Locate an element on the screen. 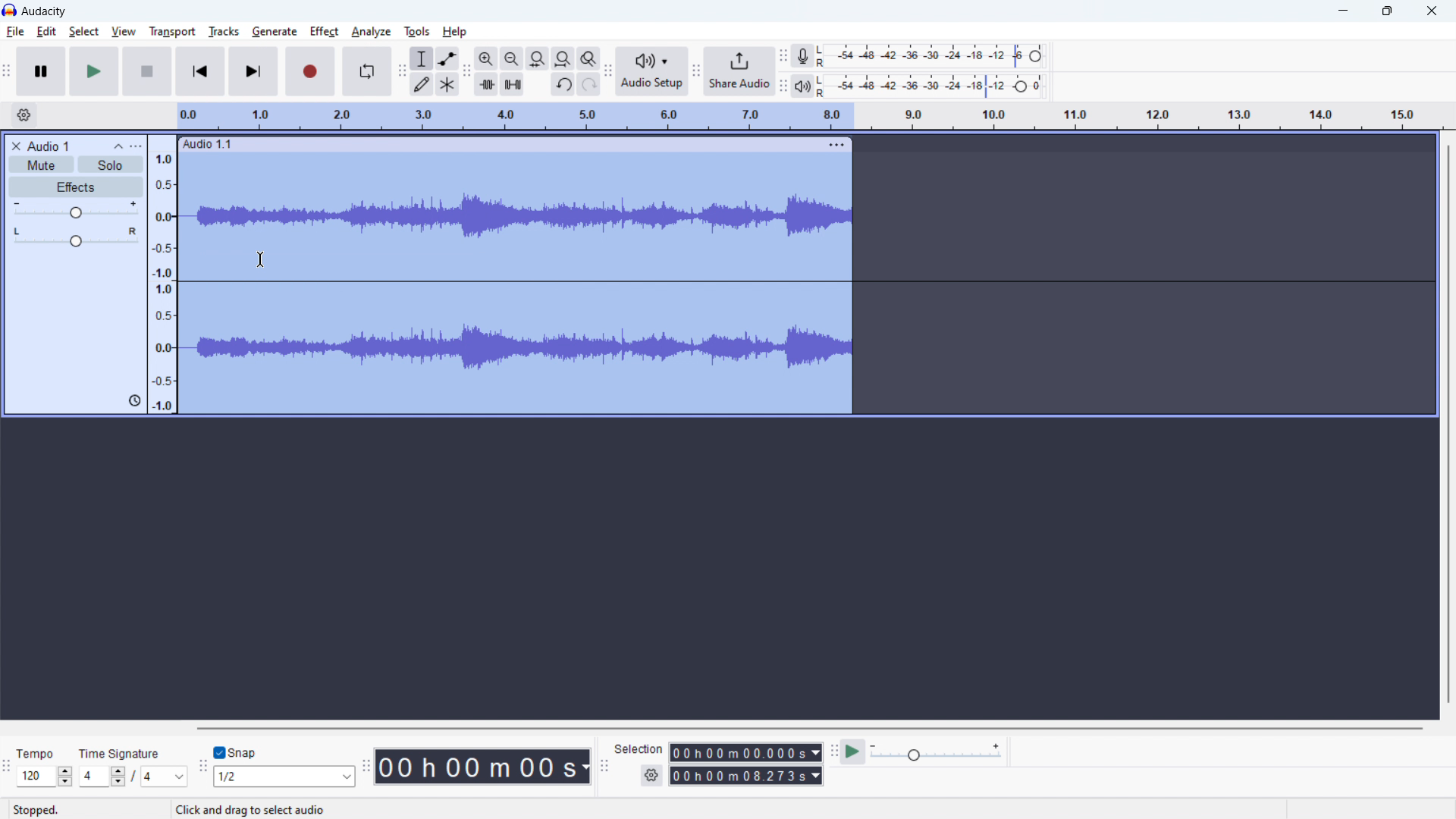 This screenshot has width=1456, height=819. timeline is located at coordinates (162, 273).